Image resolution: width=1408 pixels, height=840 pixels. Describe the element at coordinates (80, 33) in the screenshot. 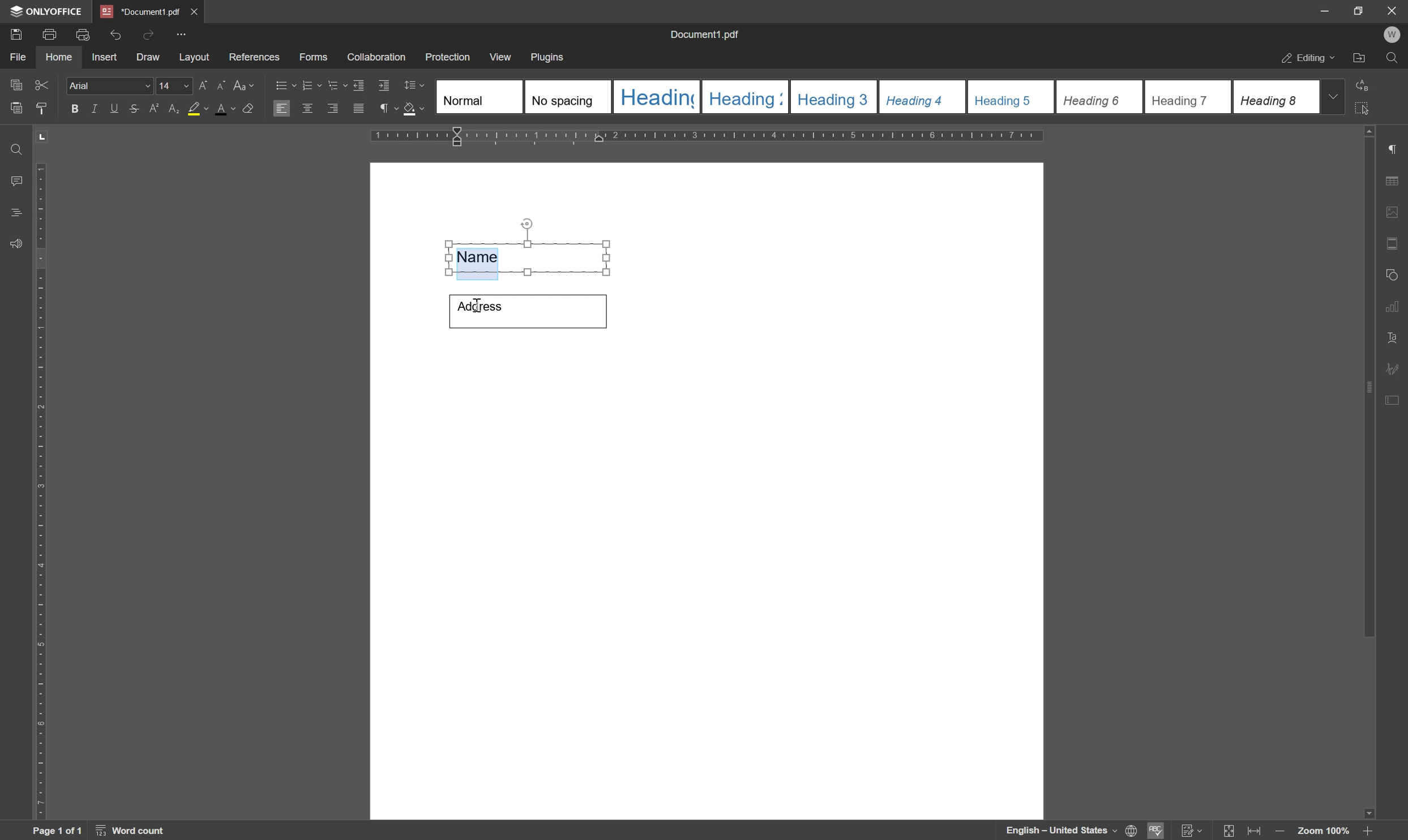

I see `quick print` at that location.